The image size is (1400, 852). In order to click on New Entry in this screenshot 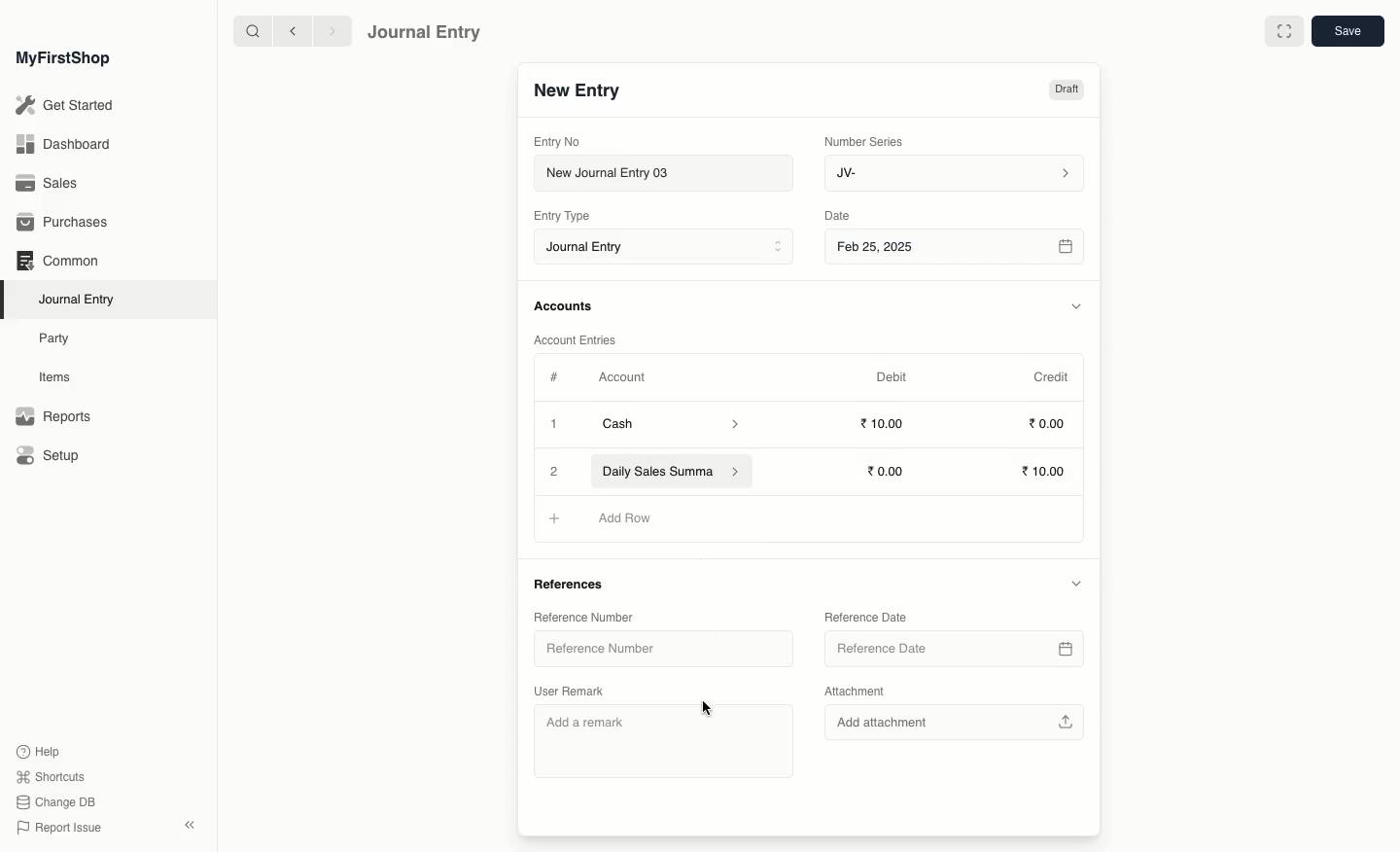, I will do `click(577, 91)`.